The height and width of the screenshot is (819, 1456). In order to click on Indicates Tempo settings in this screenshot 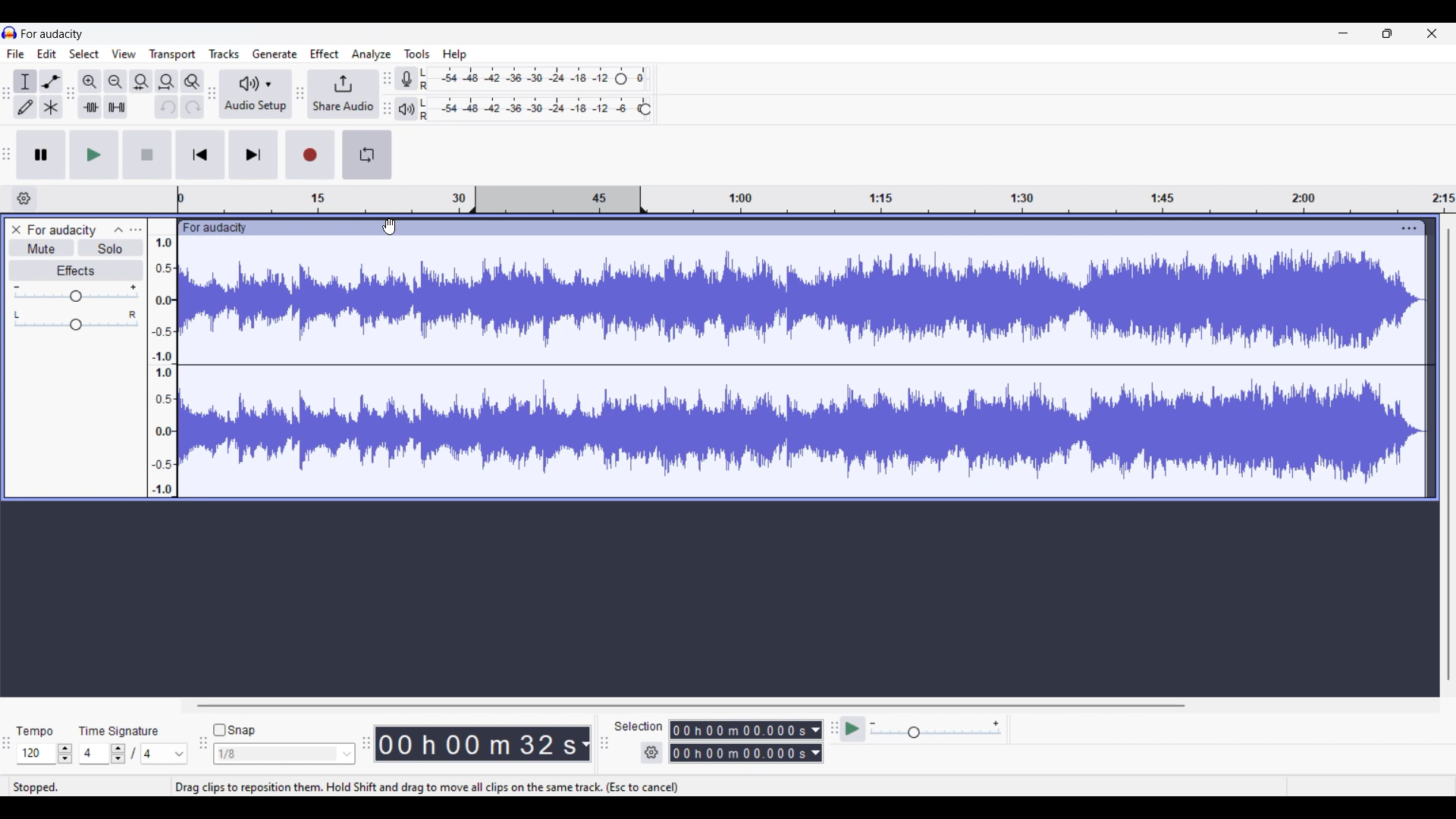, I will do `click(34, 732)`.